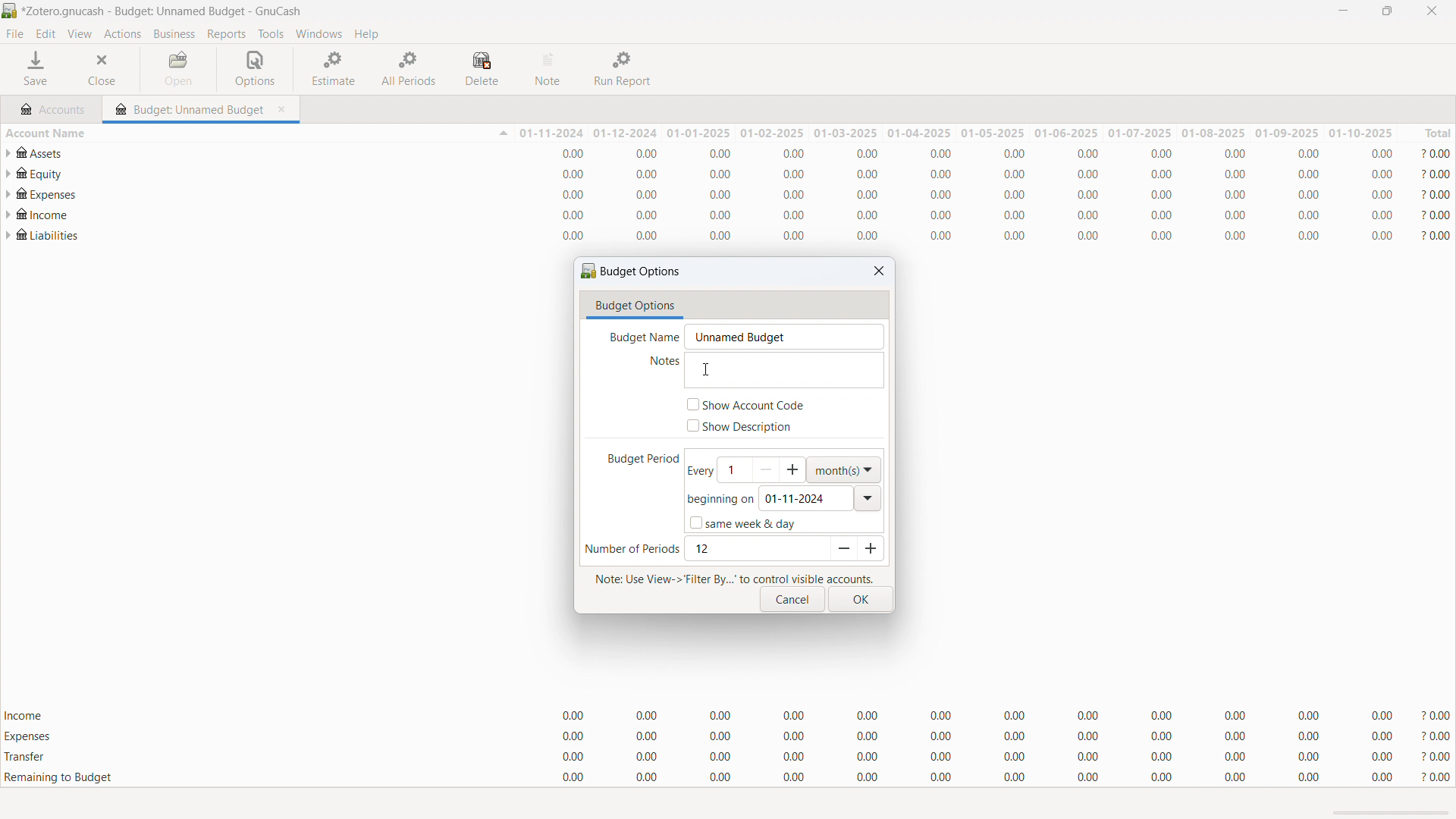  Describe the element at coordinates (550, 69) in the screenshot. I see `note` at that location.